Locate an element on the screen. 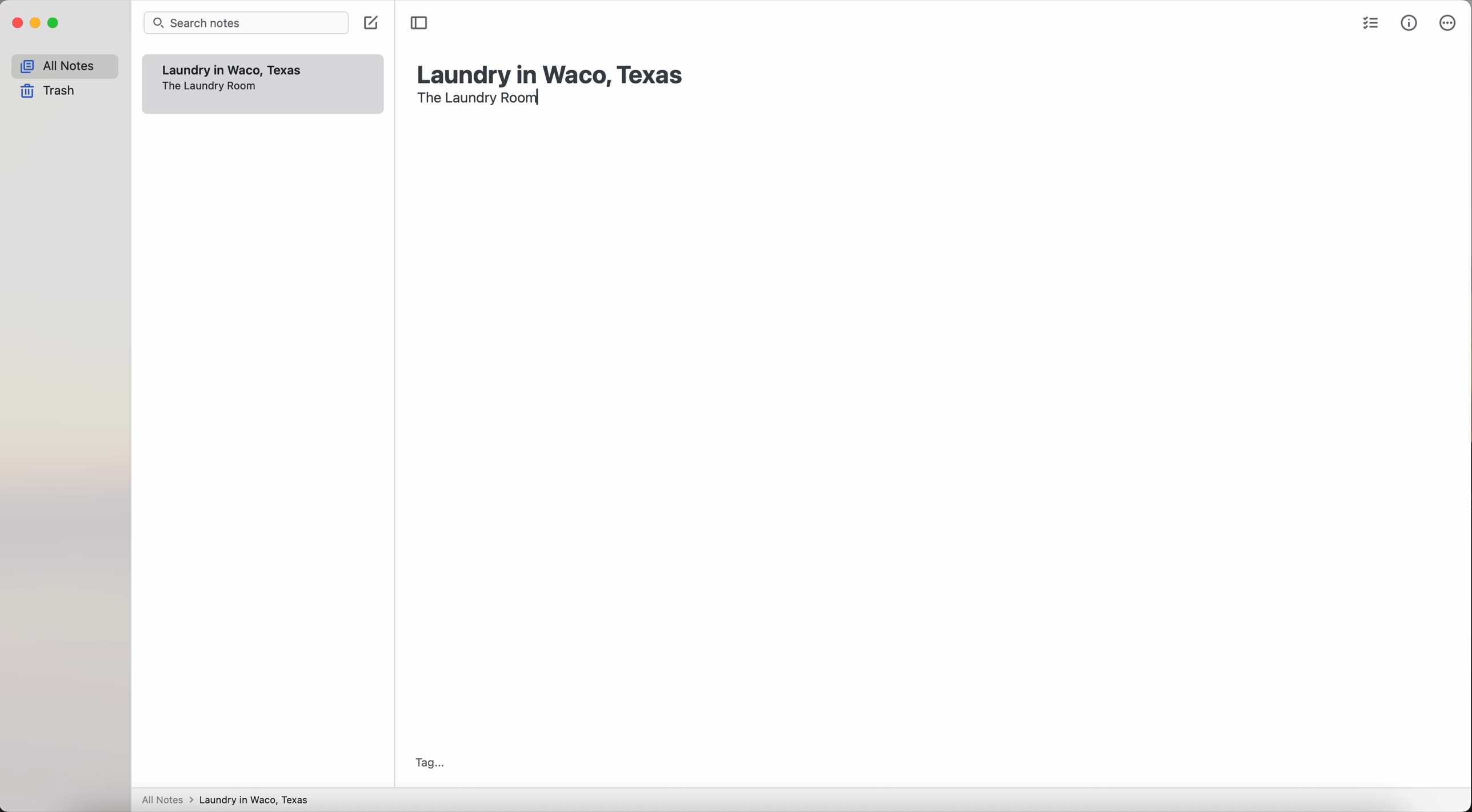 Image resolution: width=1472 pixels, height=812 pixels. metrics is located at coordinates (1410, 22).